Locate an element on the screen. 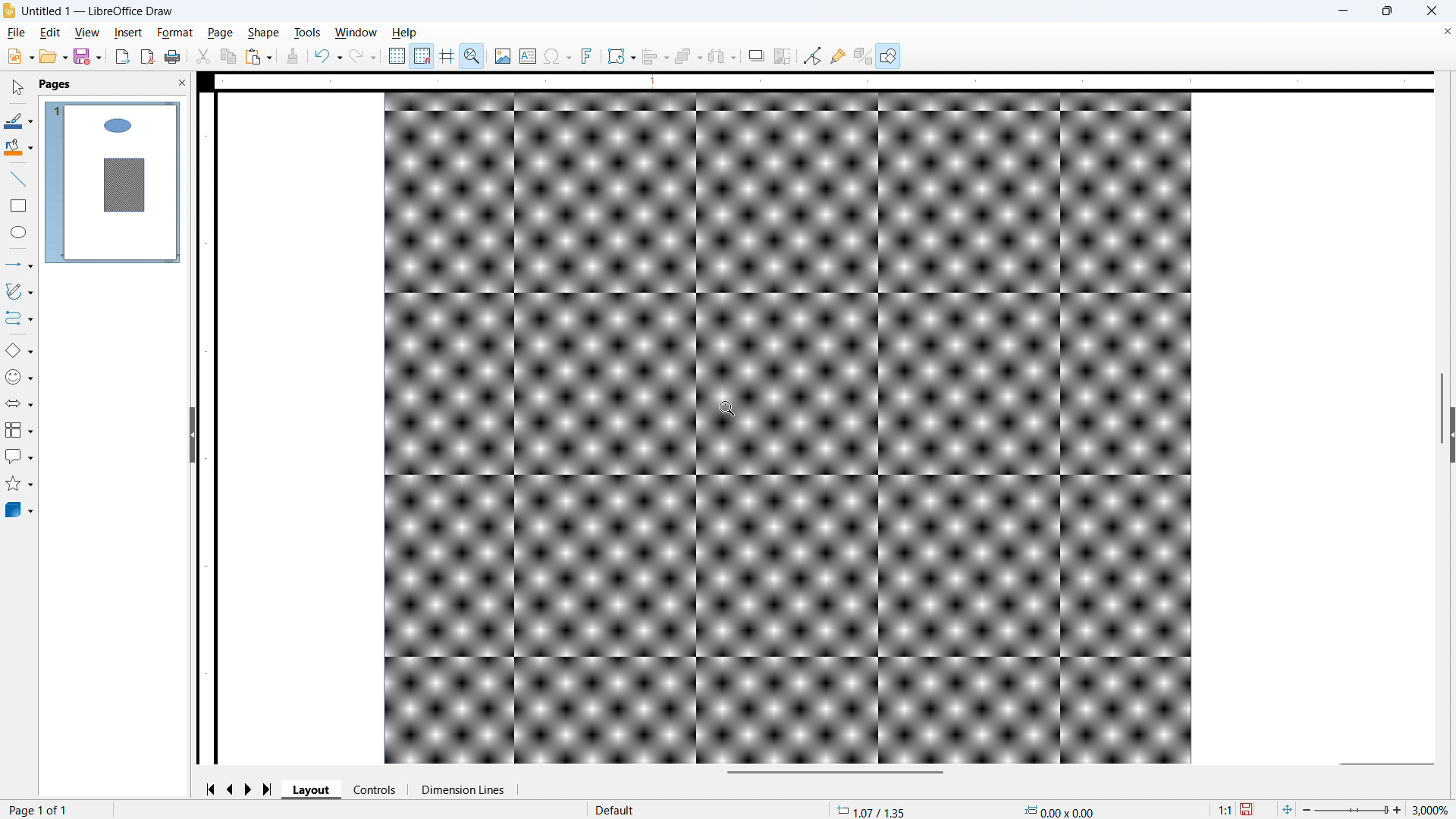  Export as PDF  is located at coordinates (147, 57).